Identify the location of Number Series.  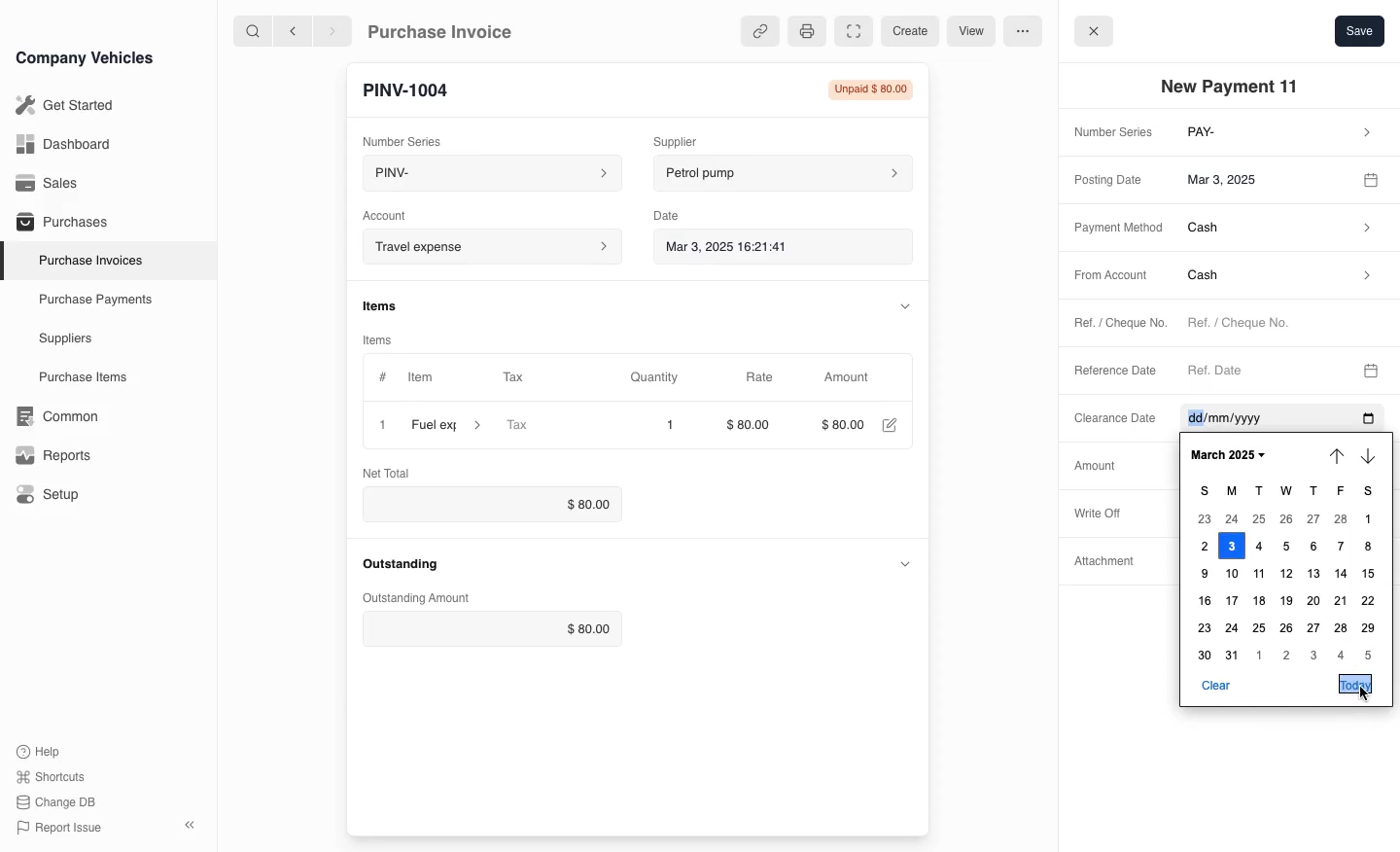
(406, 137).